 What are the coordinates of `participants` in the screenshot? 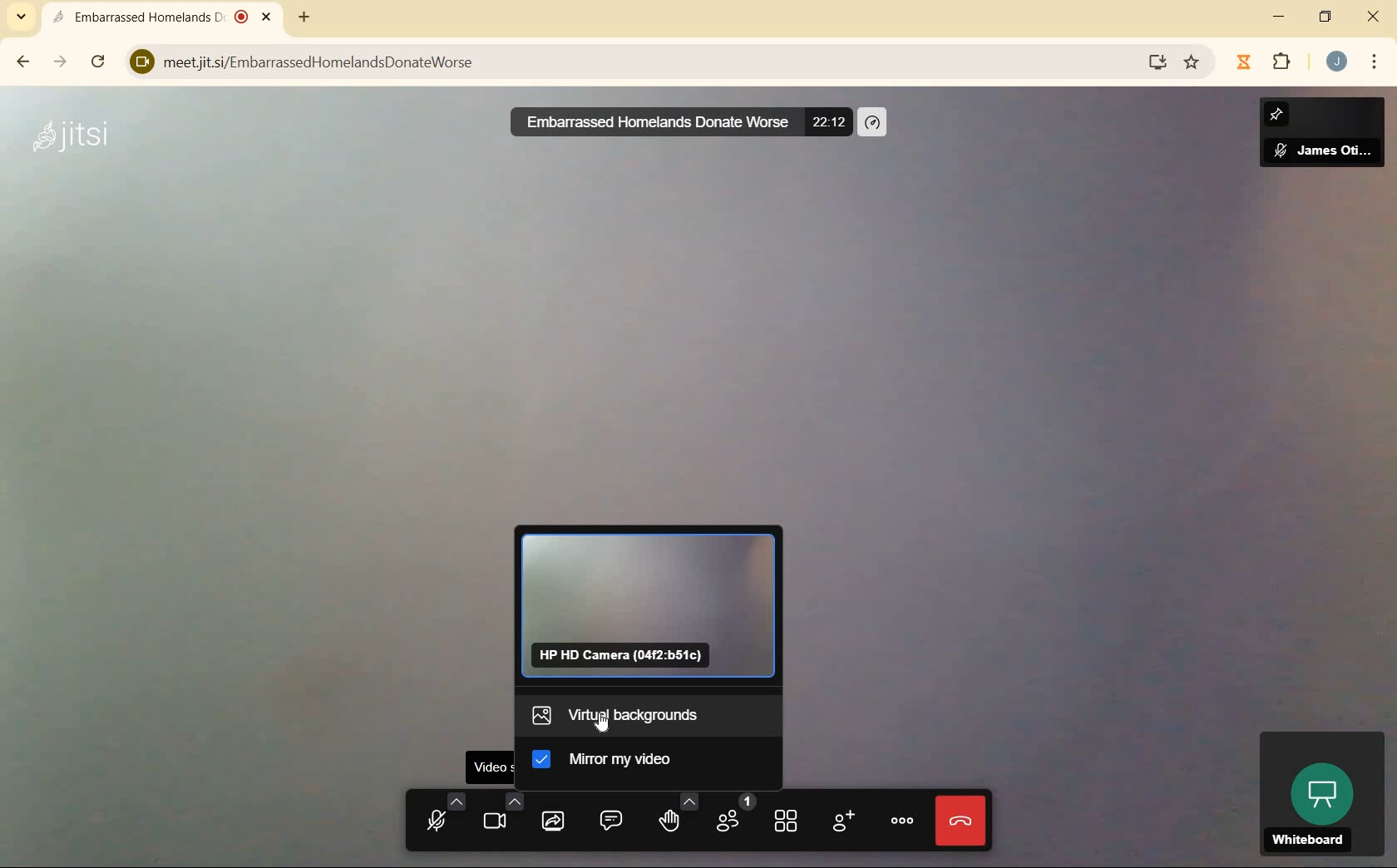 It's located at (733, 816).